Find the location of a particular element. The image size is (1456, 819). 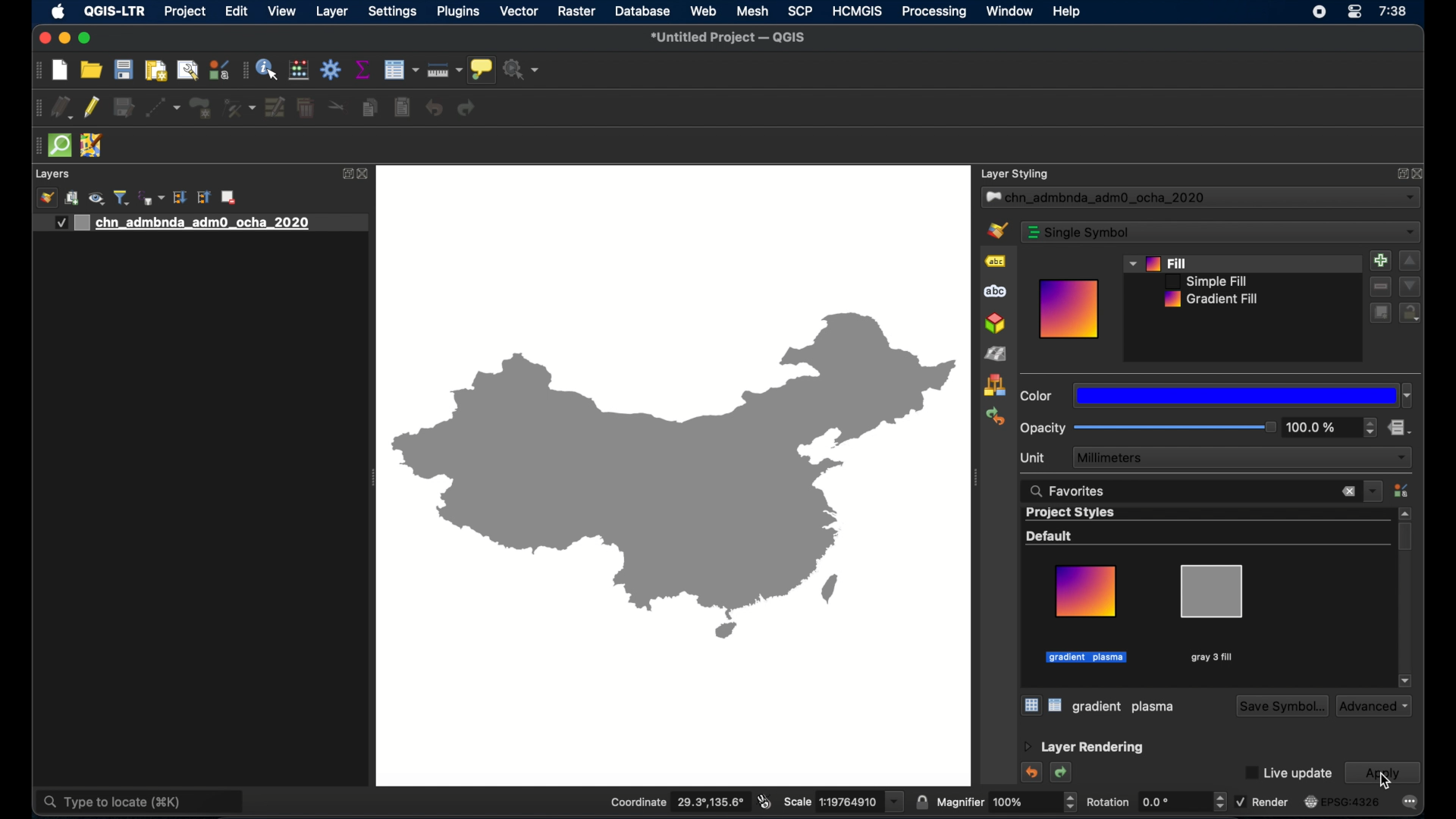

layer styling is located at coordinates (1015, 174).